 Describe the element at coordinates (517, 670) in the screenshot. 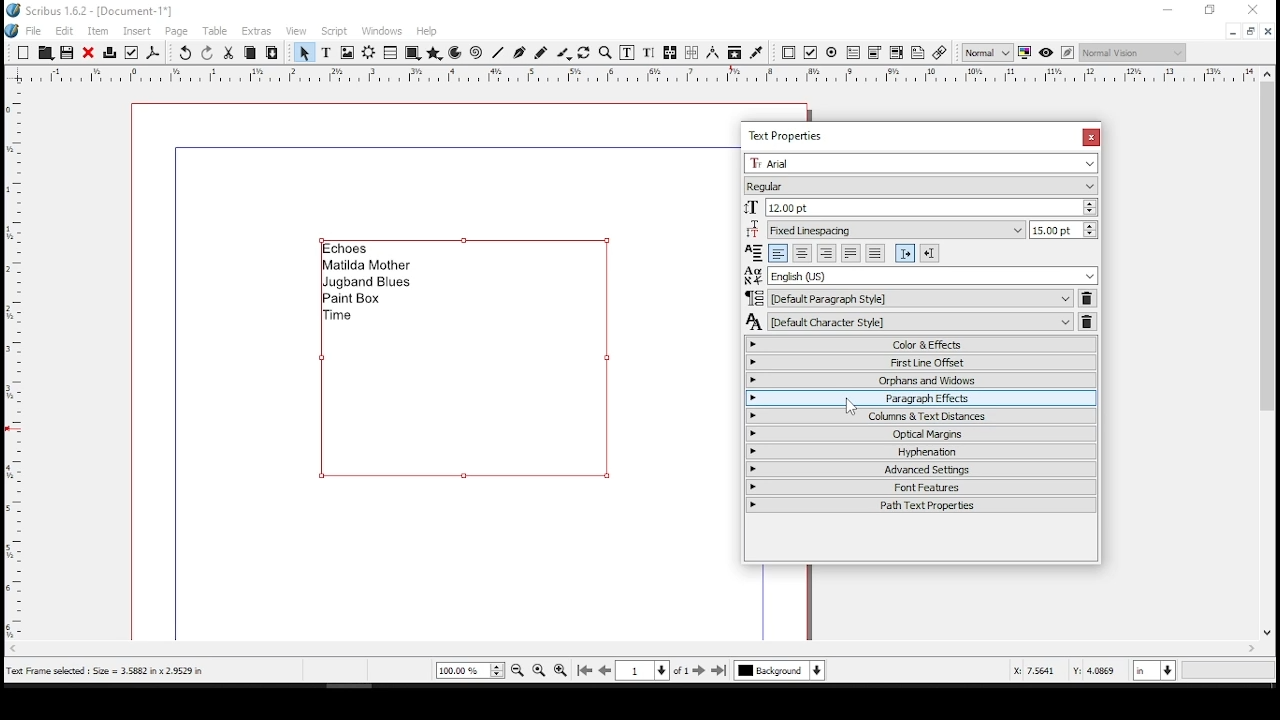

I see `zoom out` at that location.